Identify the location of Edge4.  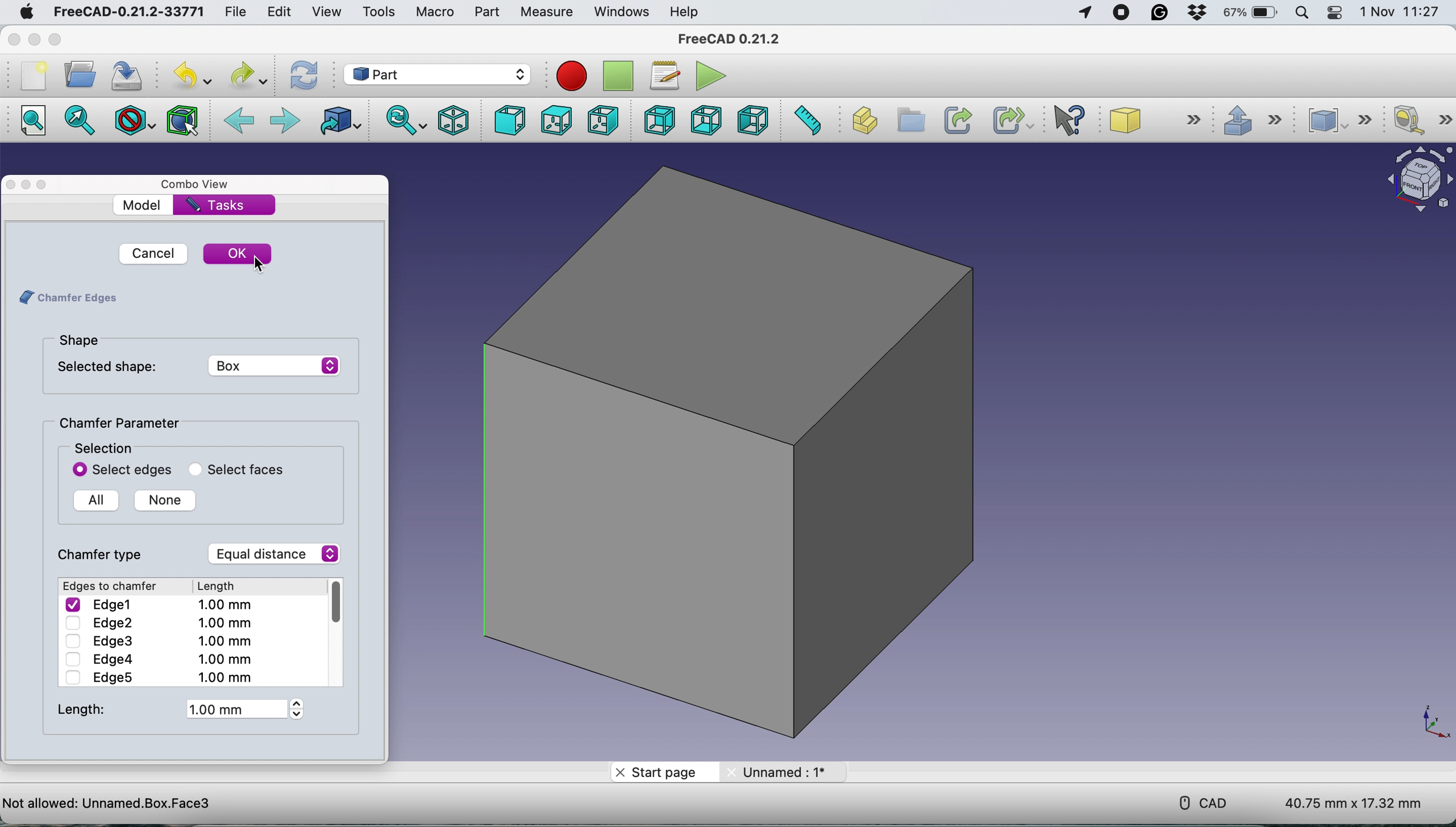
(165, 657).